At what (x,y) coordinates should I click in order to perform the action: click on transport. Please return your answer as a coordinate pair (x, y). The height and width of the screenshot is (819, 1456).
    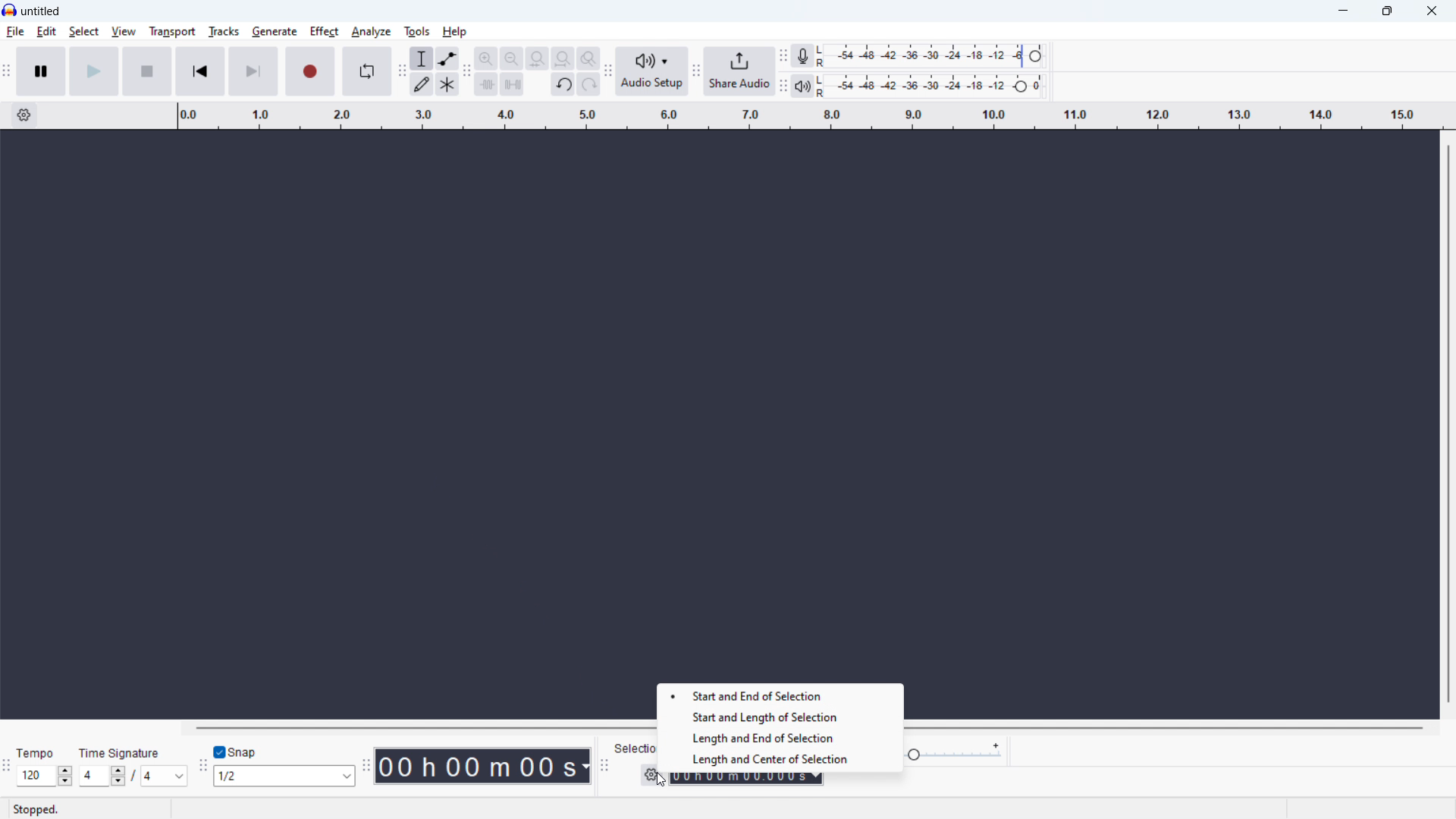
    Looking at the image, I should click on (173, 32).